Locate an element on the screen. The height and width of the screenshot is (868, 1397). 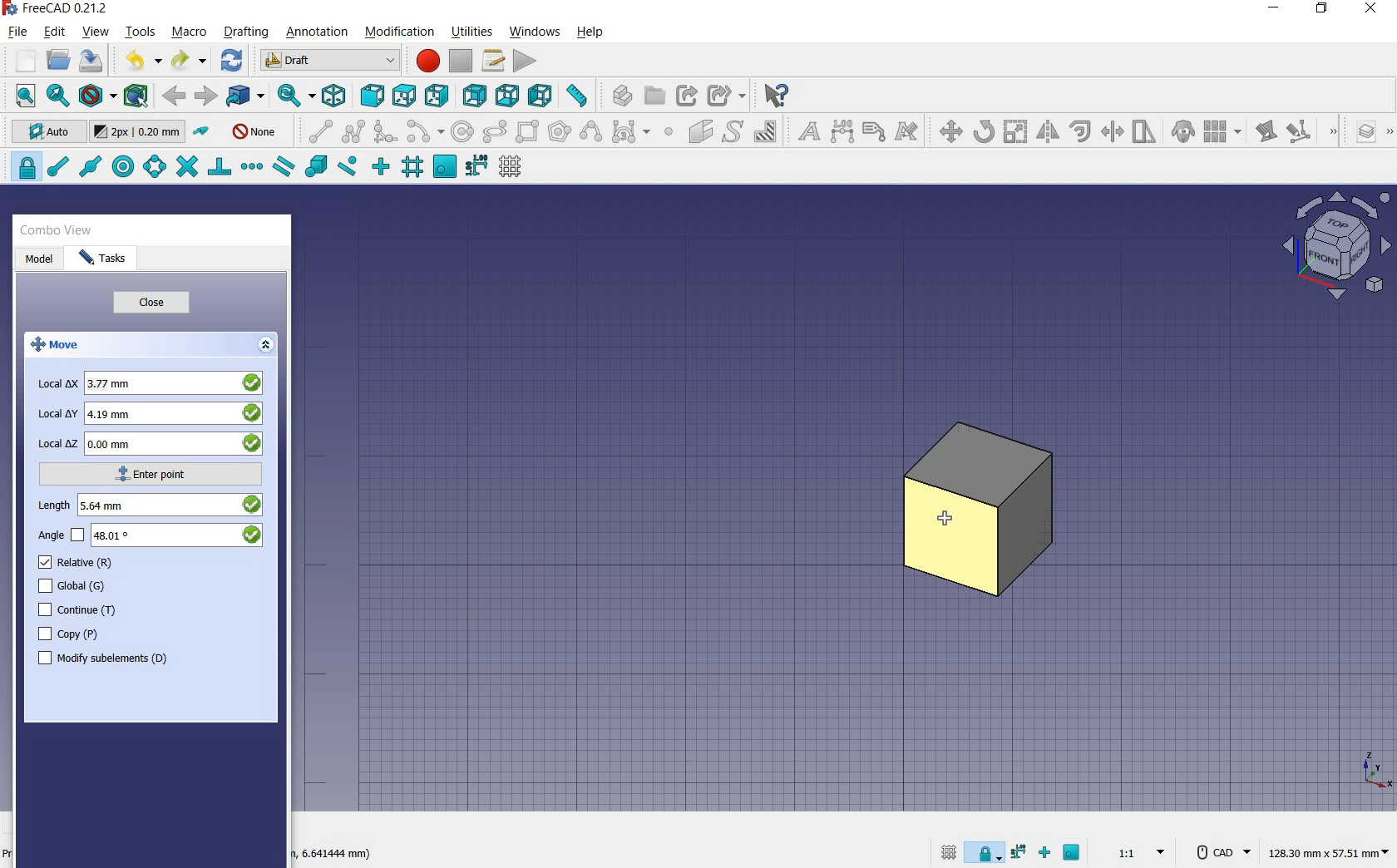
minimize is located at coordinates (1275, 10).